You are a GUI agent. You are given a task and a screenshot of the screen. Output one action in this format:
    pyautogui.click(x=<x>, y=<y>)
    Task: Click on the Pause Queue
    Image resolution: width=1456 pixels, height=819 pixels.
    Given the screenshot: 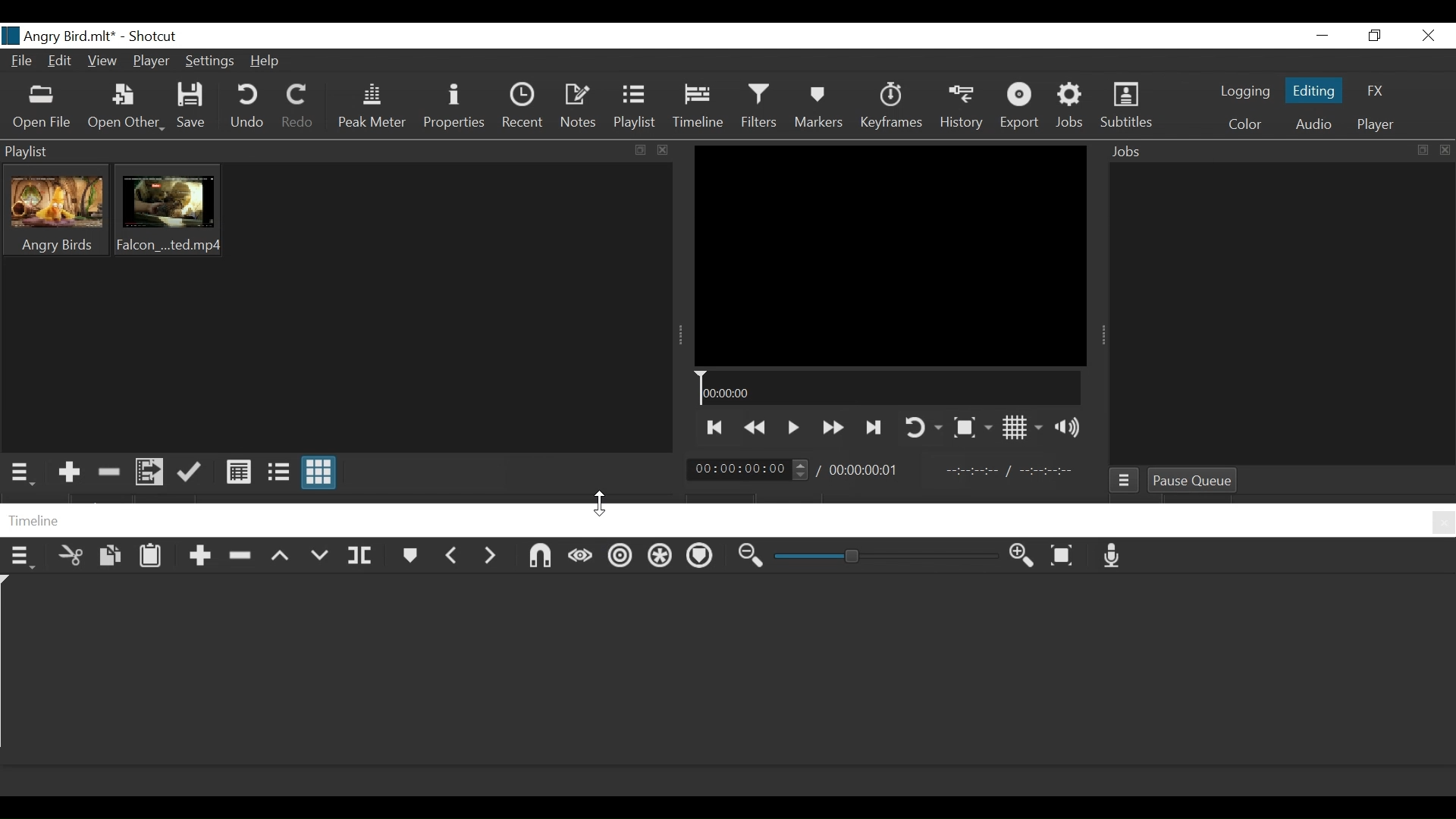 What is the action you would take?
    pyautogui.click(x=1193, y=480)
    